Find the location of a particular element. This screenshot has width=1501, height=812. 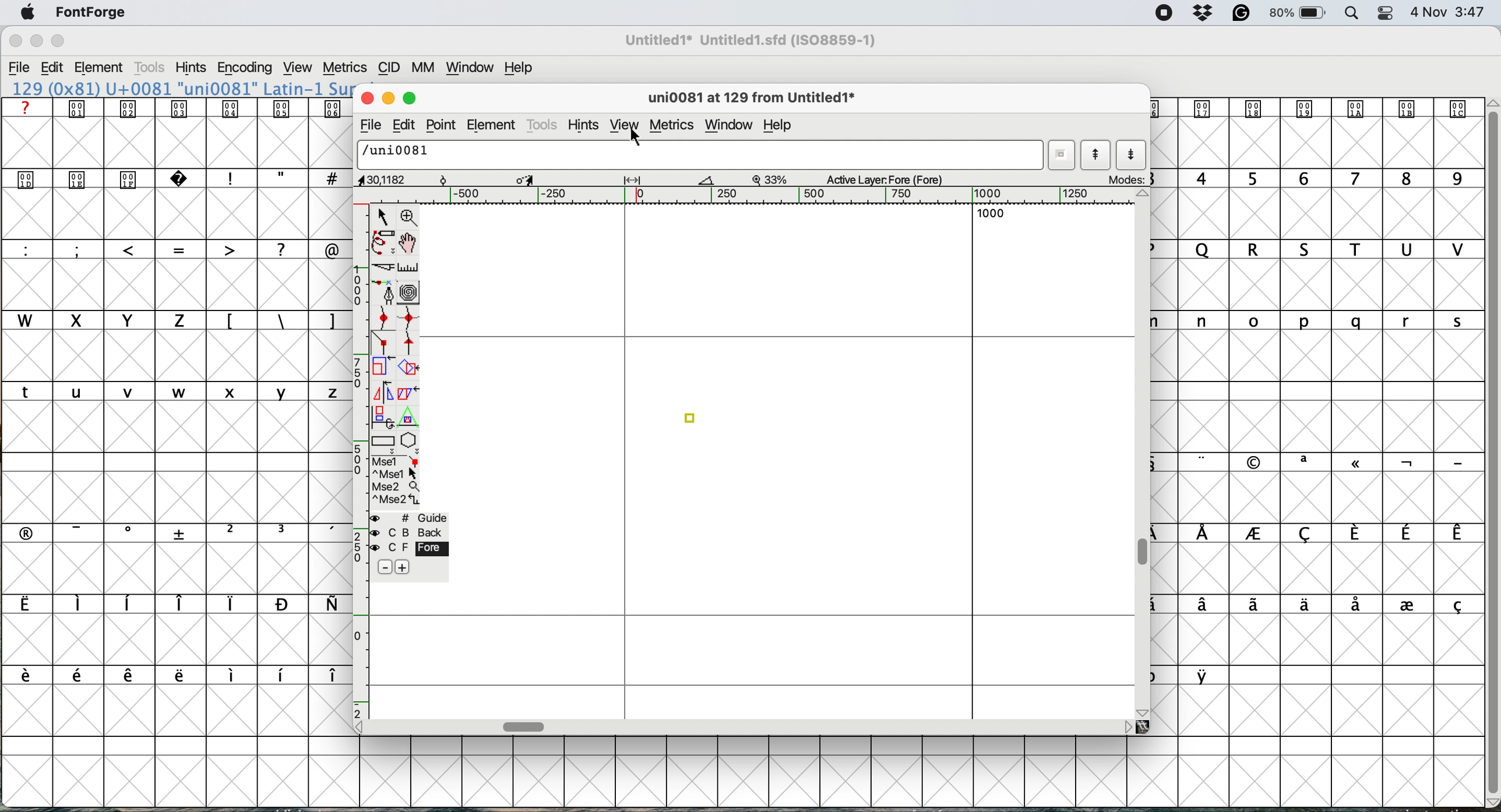

Scroll Button is located at coordinates (361, 728).